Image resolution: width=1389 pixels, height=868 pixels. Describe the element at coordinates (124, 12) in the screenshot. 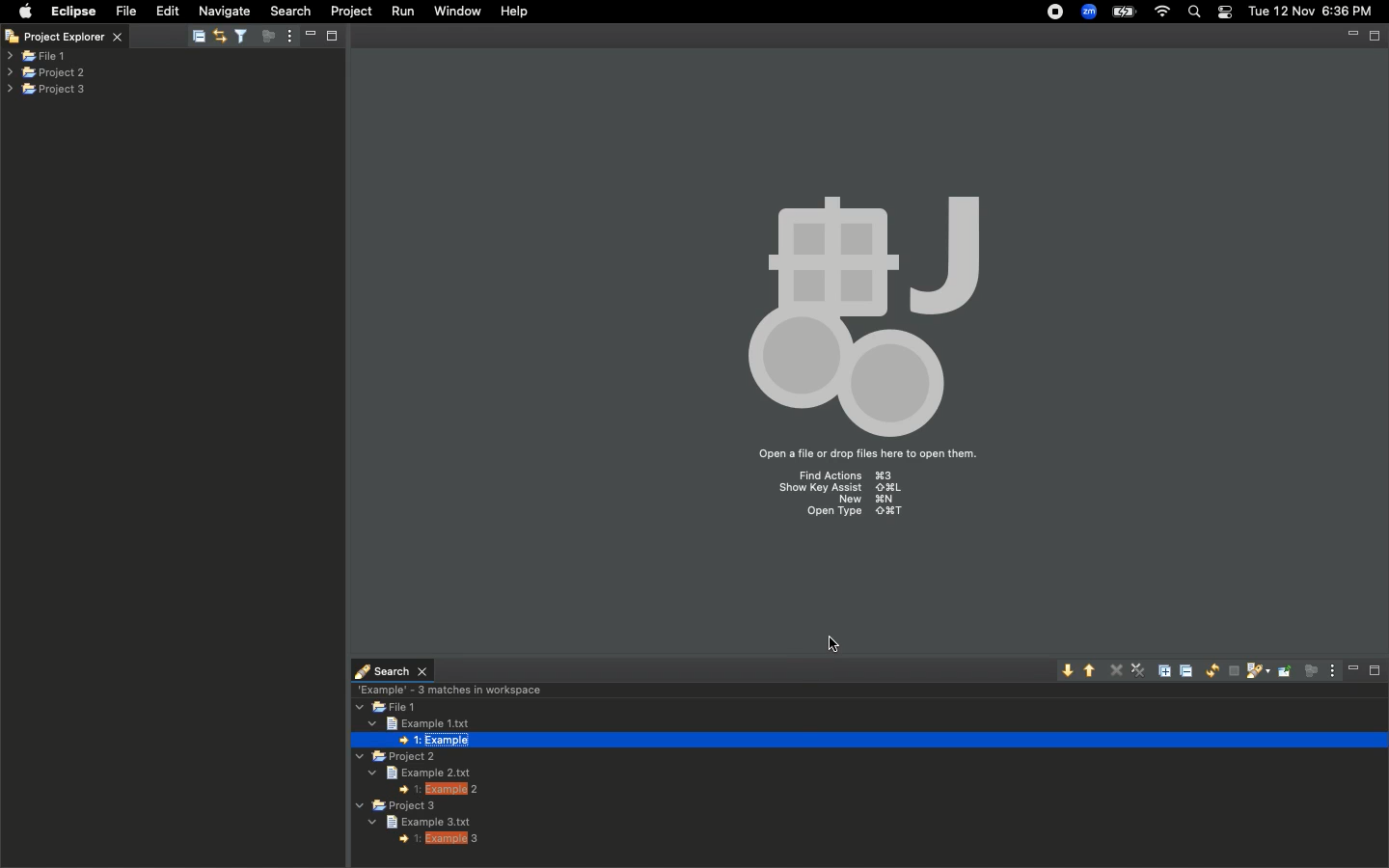

I see `File` at that location.